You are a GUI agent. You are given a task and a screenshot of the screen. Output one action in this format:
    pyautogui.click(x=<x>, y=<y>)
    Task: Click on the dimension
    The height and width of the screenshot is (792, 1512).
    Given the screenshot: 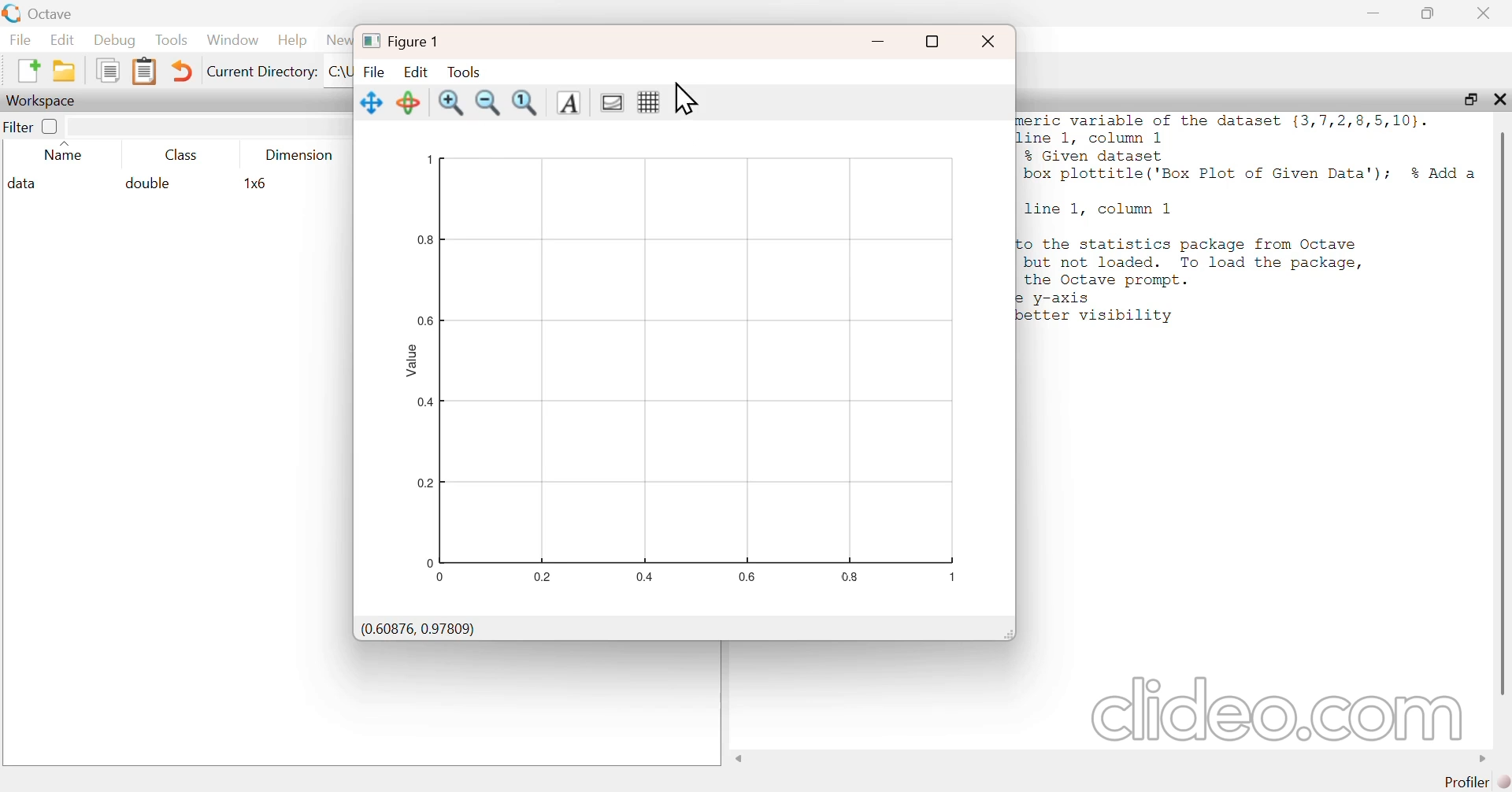 What is the action you would take?
    pyautogui.click(x=301, y=153)
    